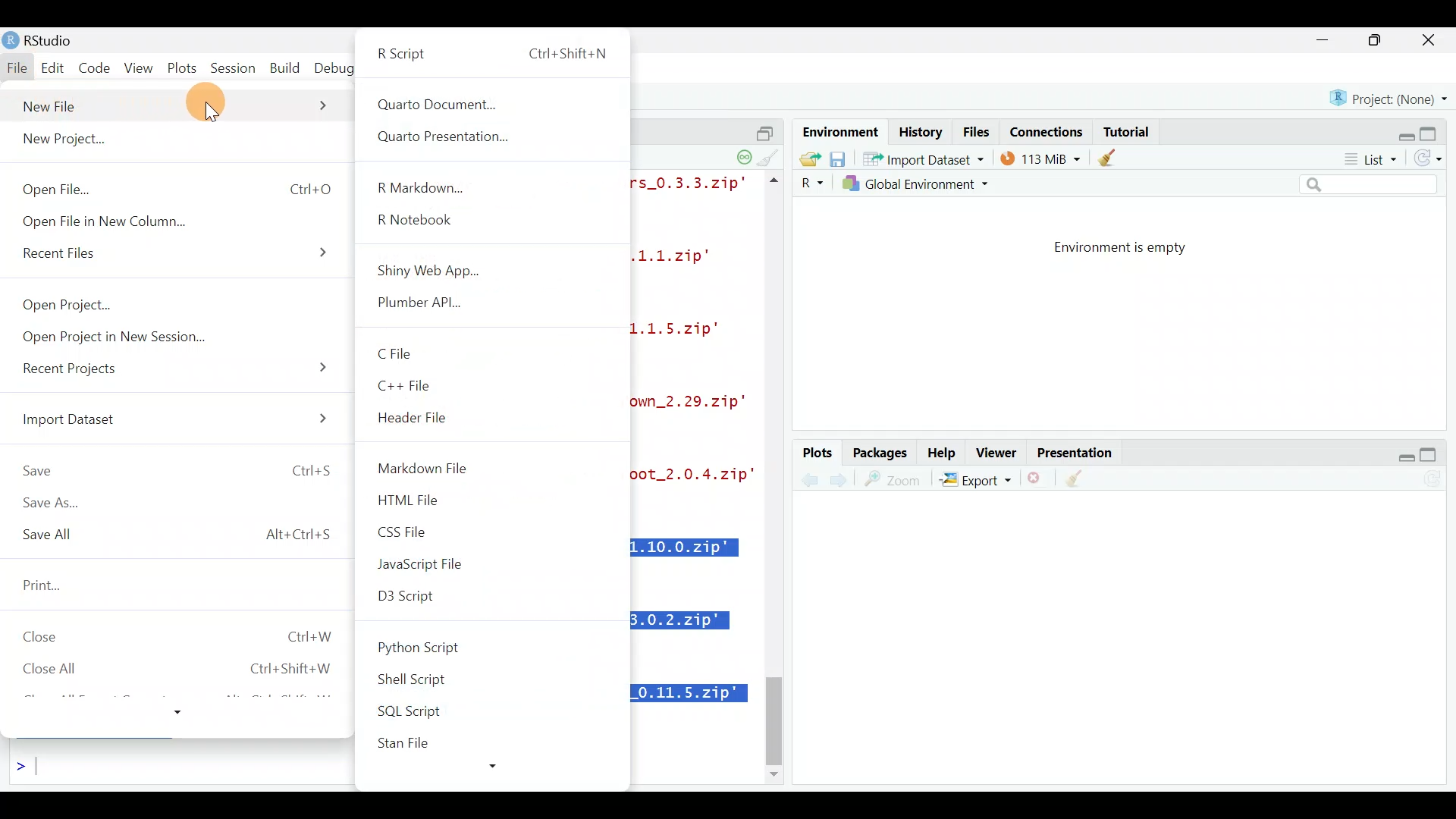 The width and height of the screenshot is (1456, 819). Describe the element at coordinates (286, 67) in the screenshot. I see `Build` at that location.